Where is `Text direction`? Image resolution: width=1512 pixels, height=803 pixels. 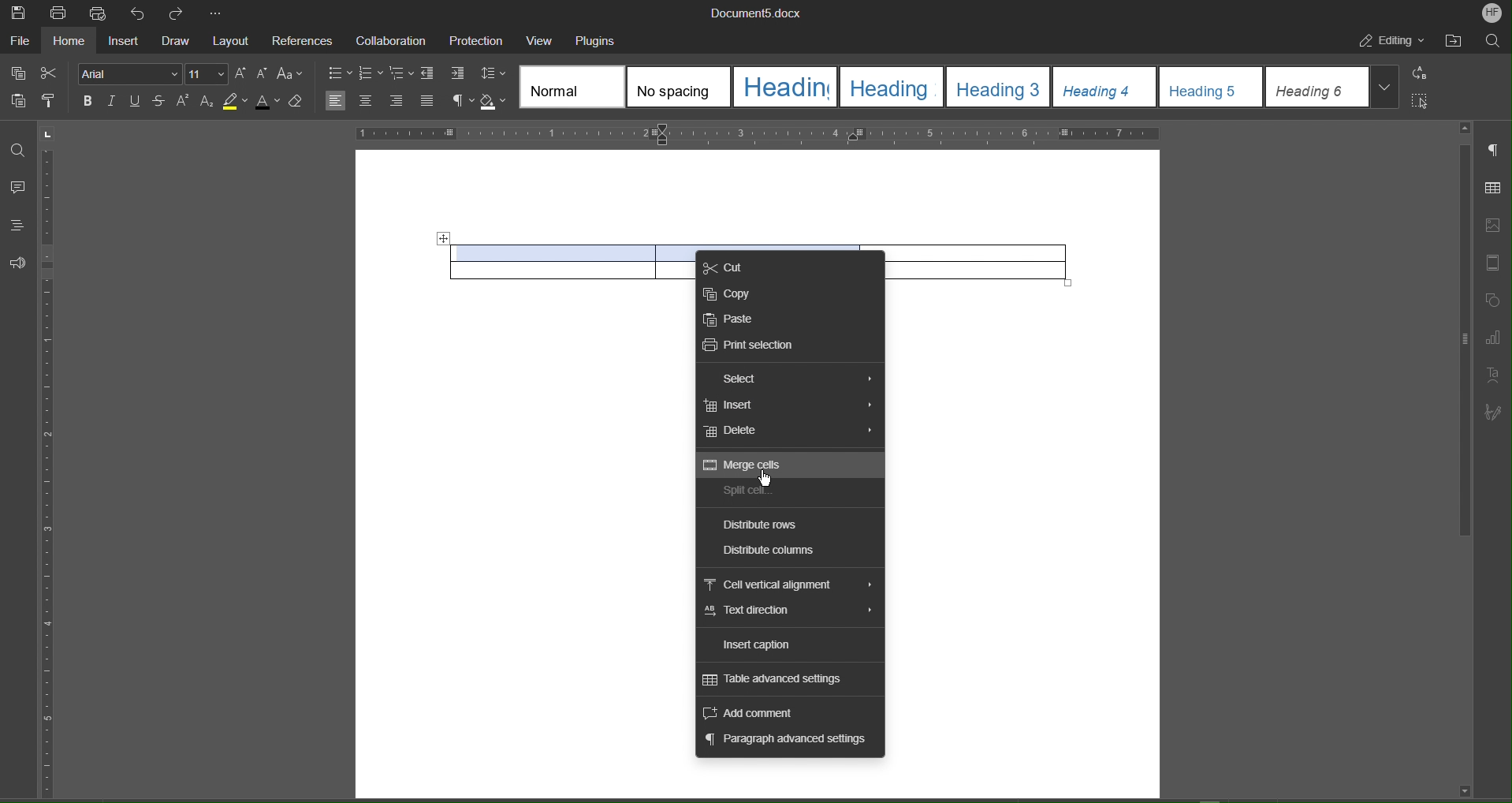 Text direction is located at coordinates (775, 617).